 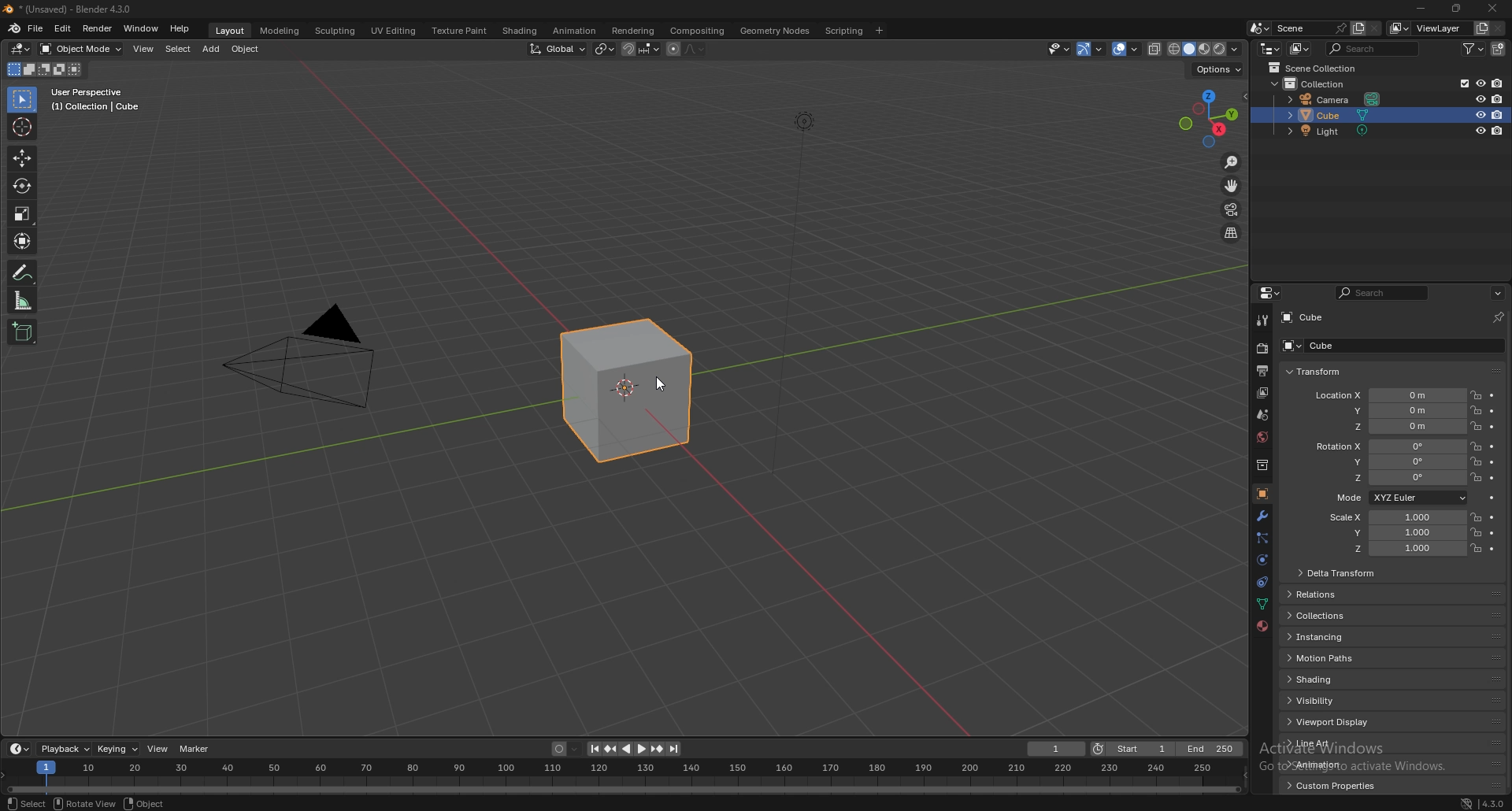 I want to click on world, so click(x=1260, y=437).